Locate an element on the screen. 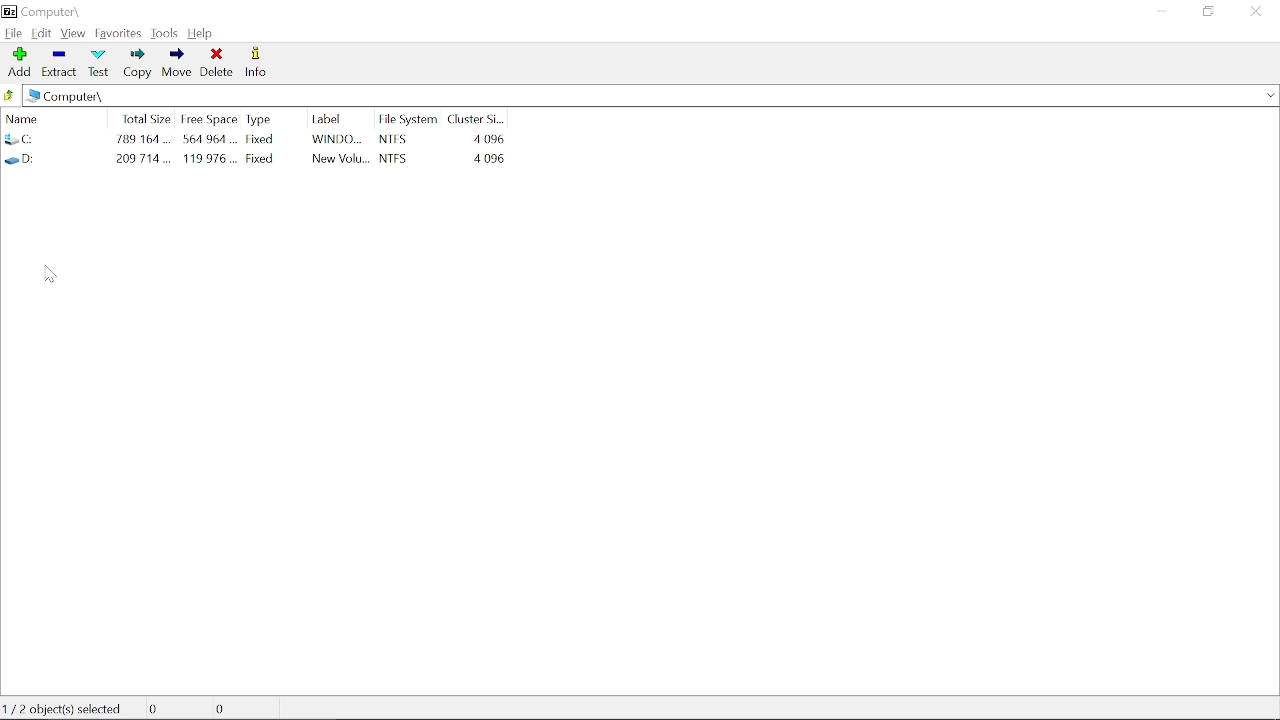 This screenshot has height=720, width=1280. 564 964 ... 119 976 ... is located at coordinates (209, 151).